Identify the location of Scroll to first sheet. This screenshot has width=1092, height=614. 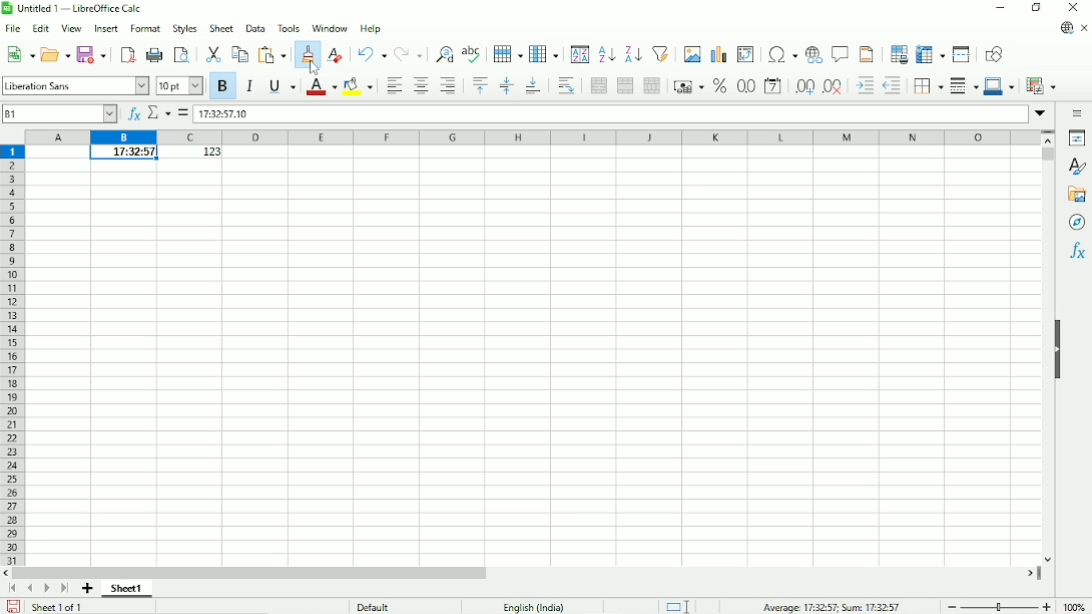
(15, 590).